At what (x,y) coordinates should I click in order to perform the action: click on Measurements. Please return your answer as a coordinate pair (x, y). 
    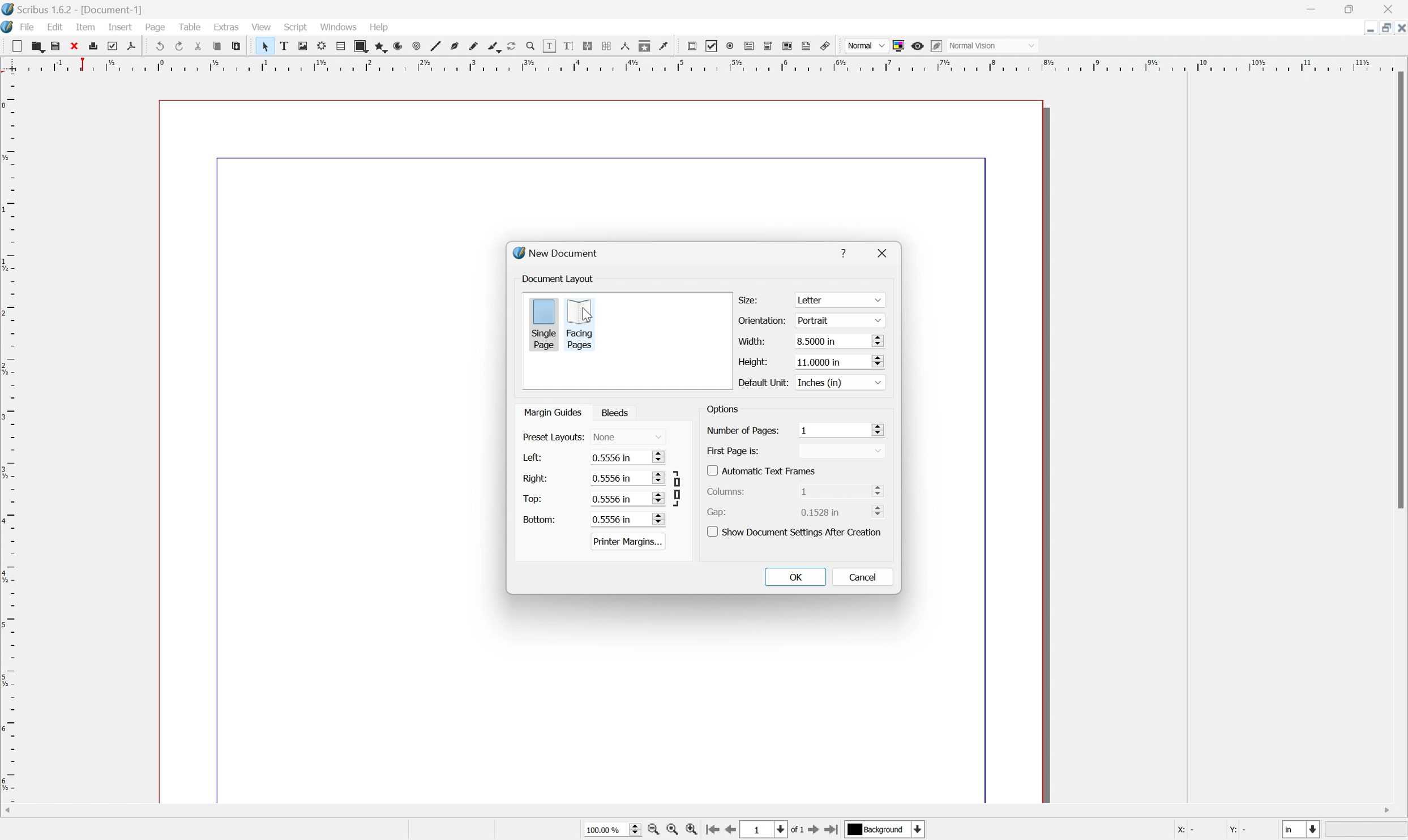
    Looking at the image, I should click on (627, 47).